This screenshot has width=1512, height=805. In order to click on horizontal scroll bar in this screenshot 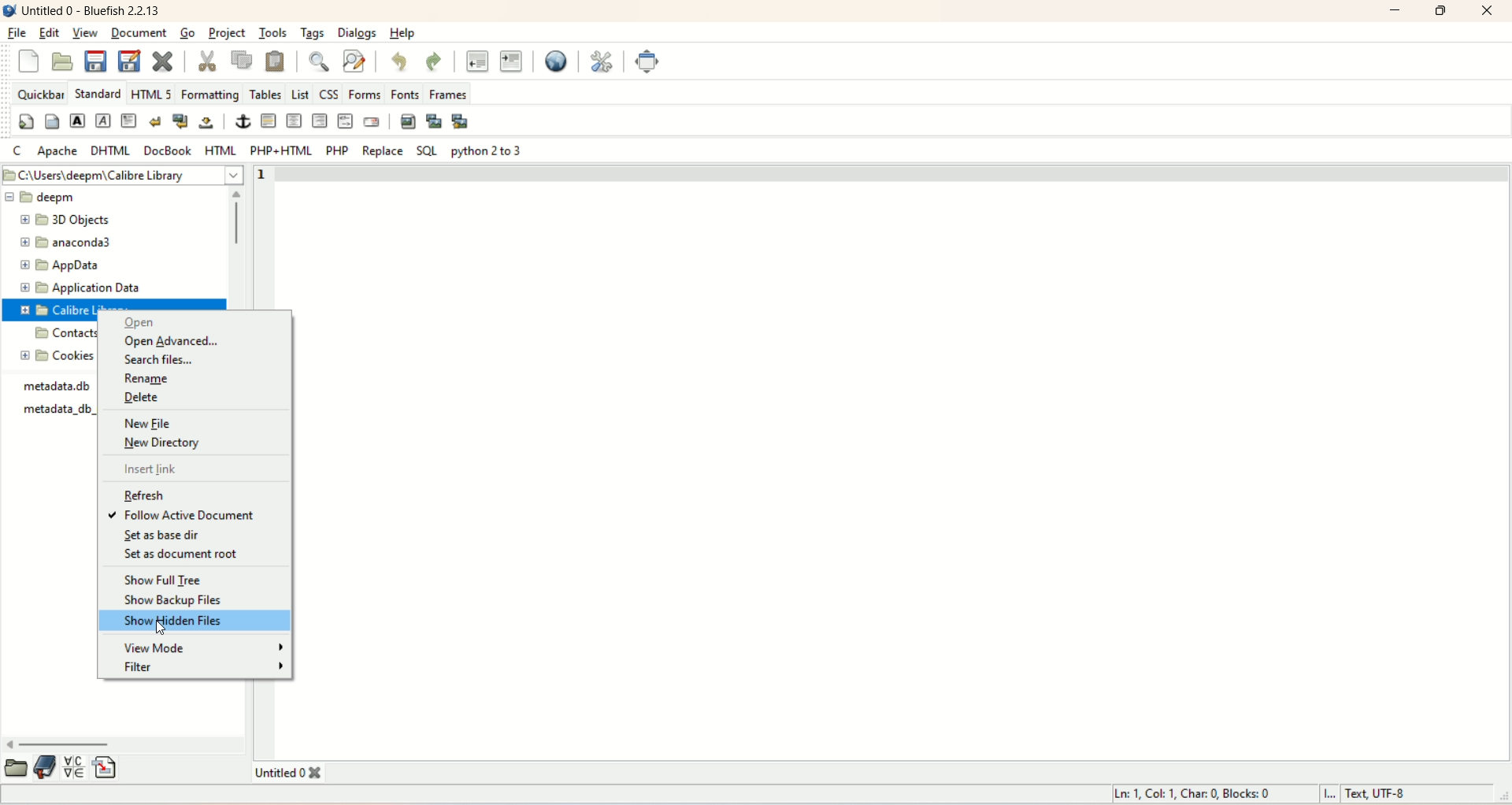, I will do `click(126, 745)`.